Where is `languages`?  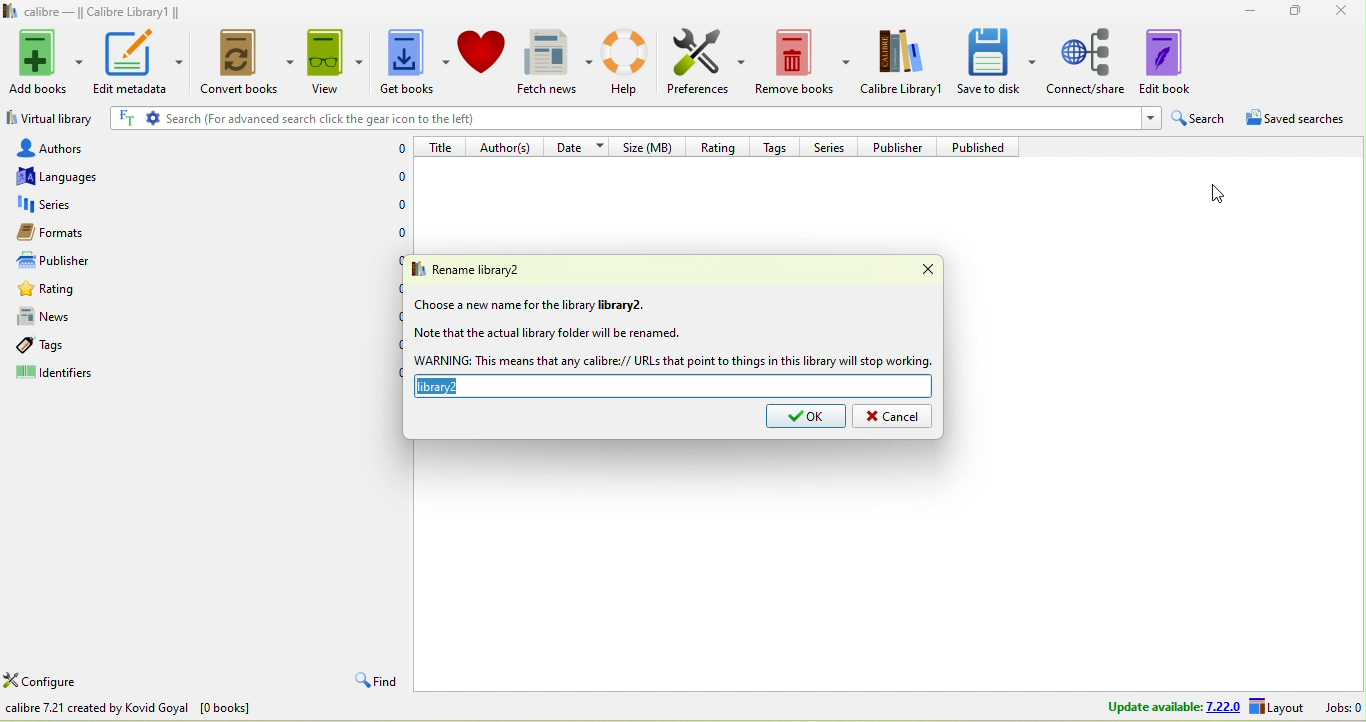
languages is located at coordinates (68, 176).